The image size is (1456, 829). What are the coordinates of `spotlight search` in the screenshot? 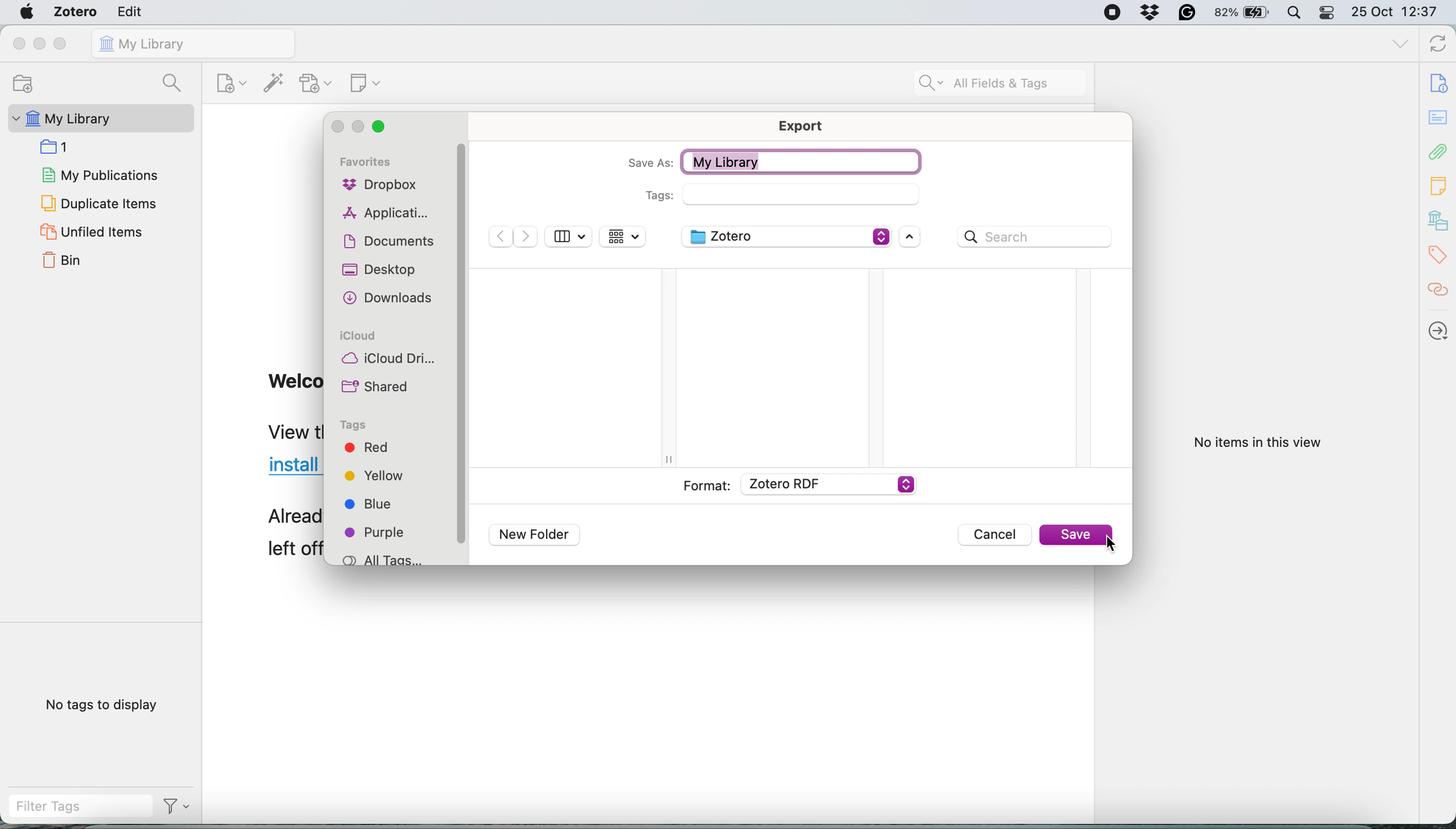 It's located at (1295, 13).